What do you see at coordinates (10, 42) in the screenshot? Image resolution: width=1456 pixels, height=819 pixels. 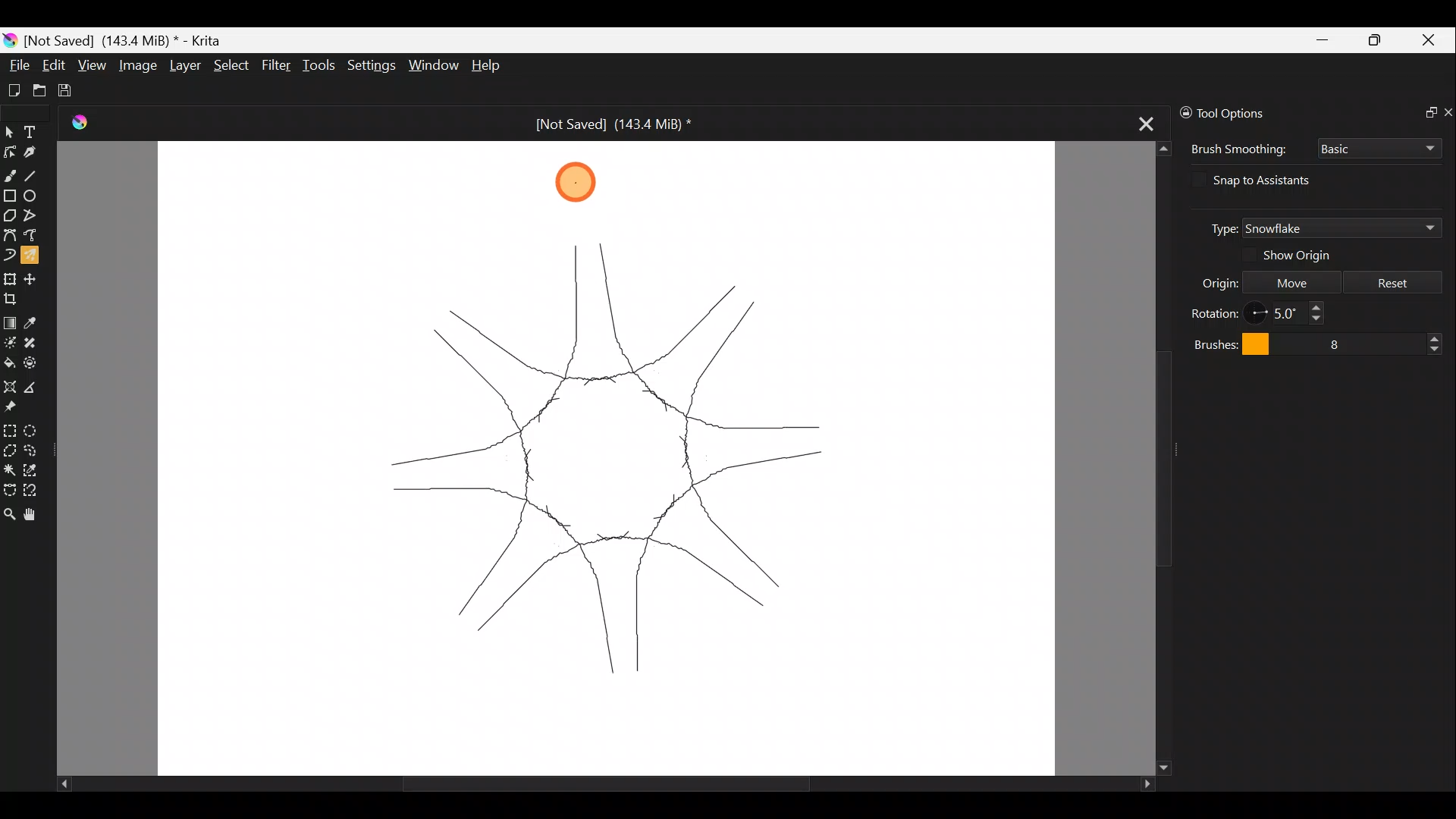 I see `Krita logo` at bounding box center [10, 42].